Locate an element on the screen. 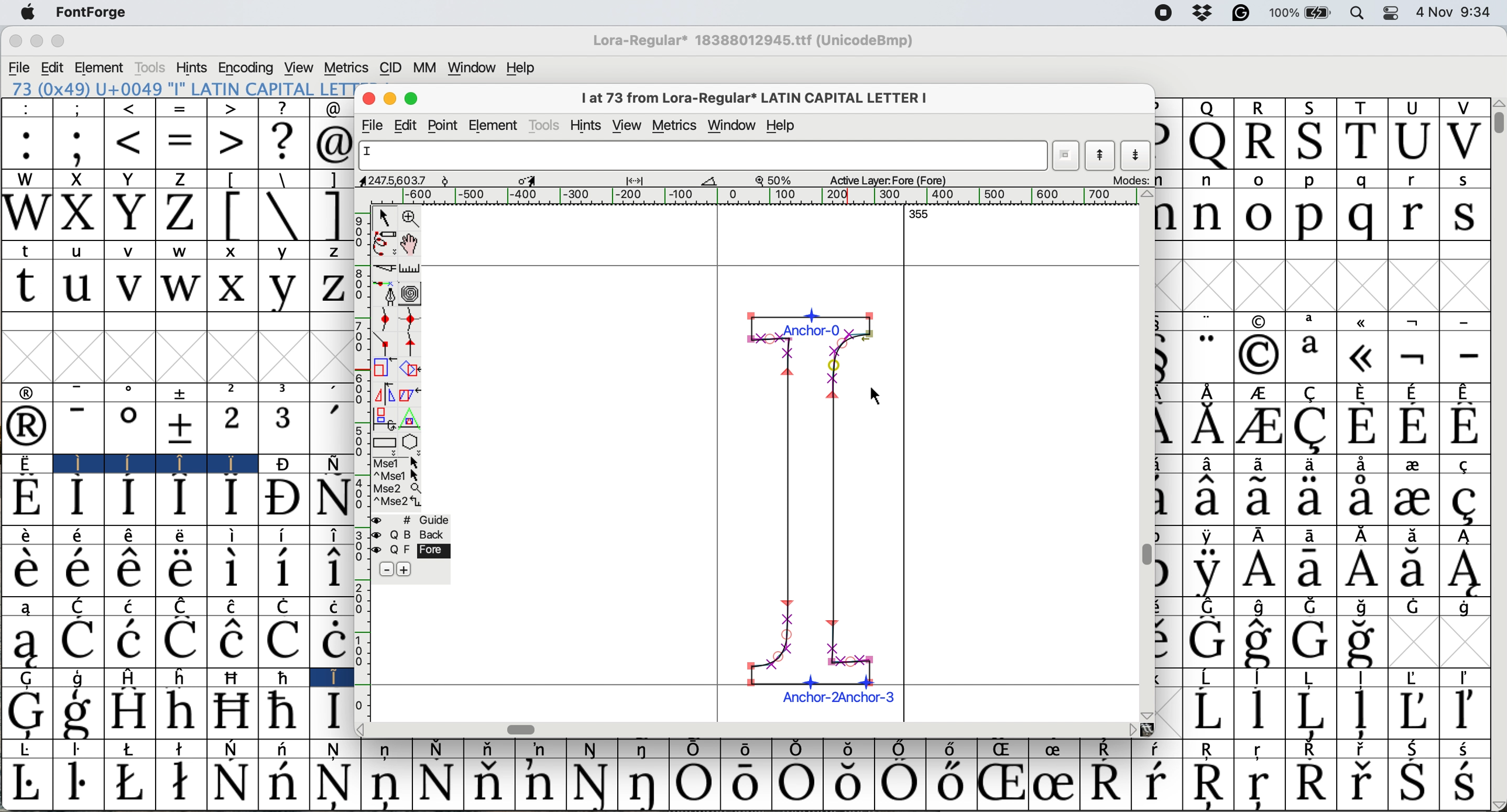 This screenshot has width=1507, height=812. add a curve point is located at coordinates (384, 321).